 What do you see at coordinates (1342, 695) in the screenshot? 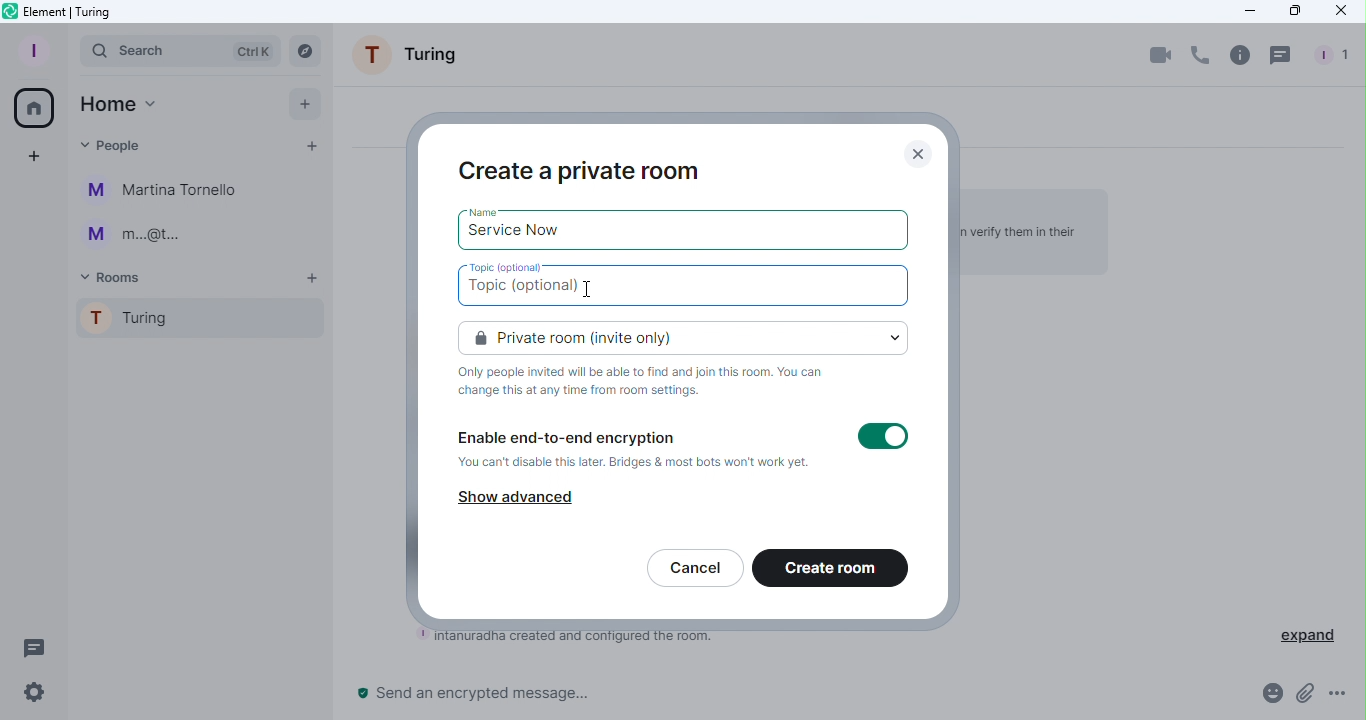
I see `More Options` at bounding box center [1342, 695].